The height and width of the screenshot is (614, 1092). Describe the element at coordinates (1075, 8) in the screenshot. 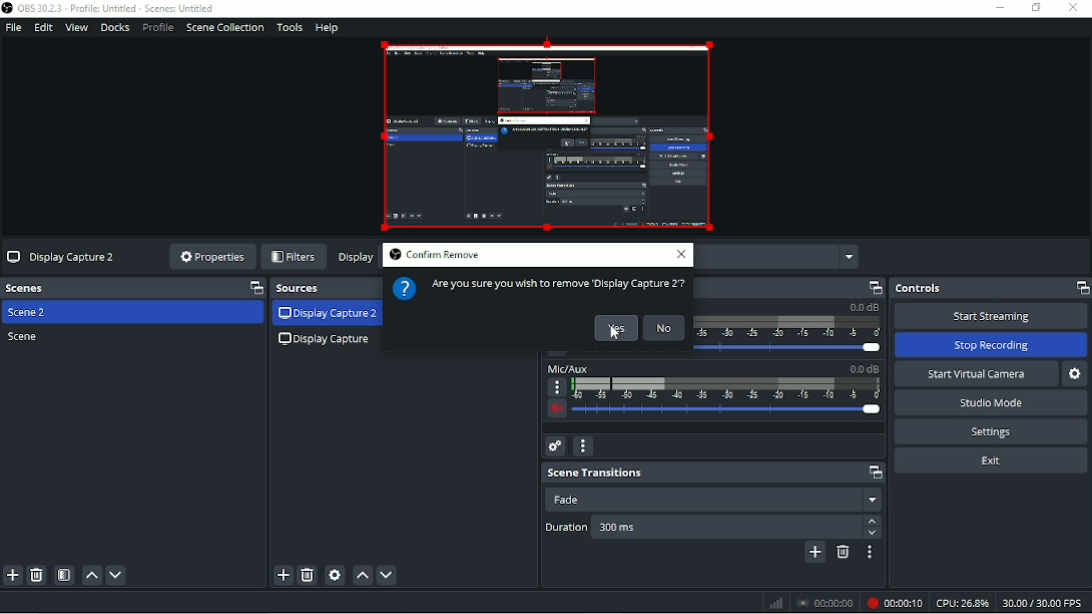

I see `Close` at that location.